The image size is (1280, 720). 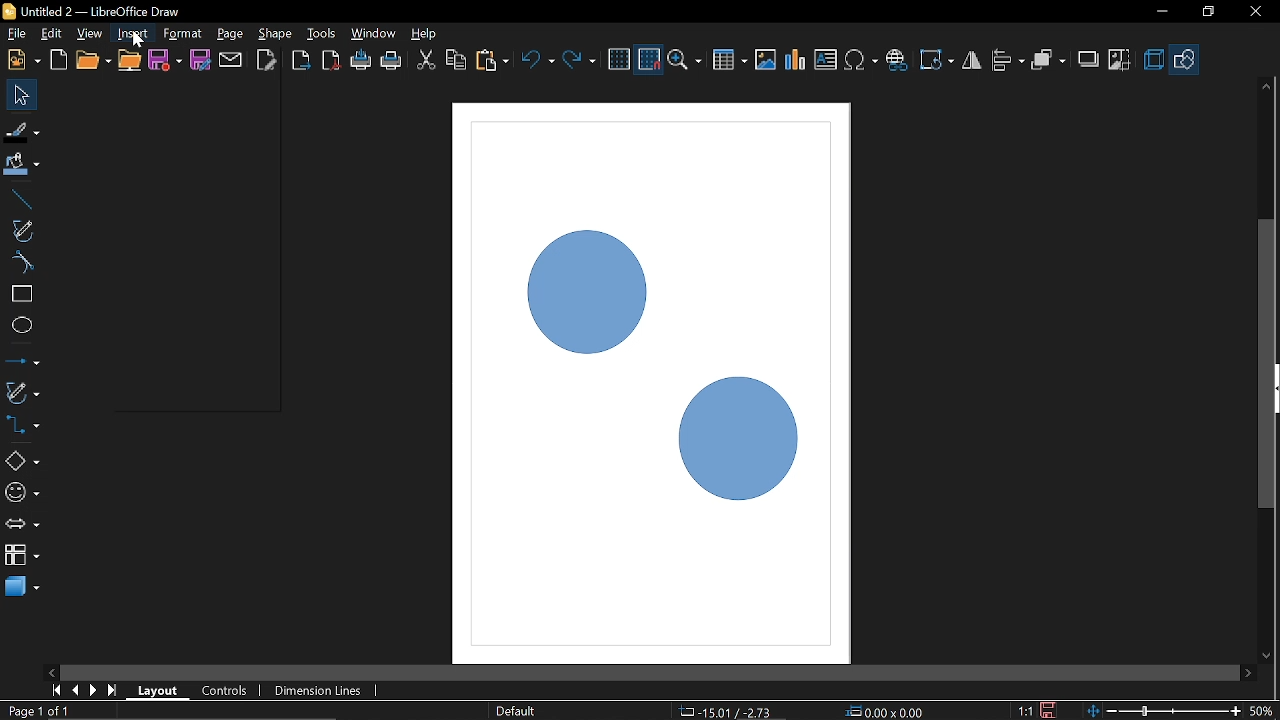 What do you see at coordinates (491, 61) in the screenshot?
I see `Paste` at bounding box center [491, 61].